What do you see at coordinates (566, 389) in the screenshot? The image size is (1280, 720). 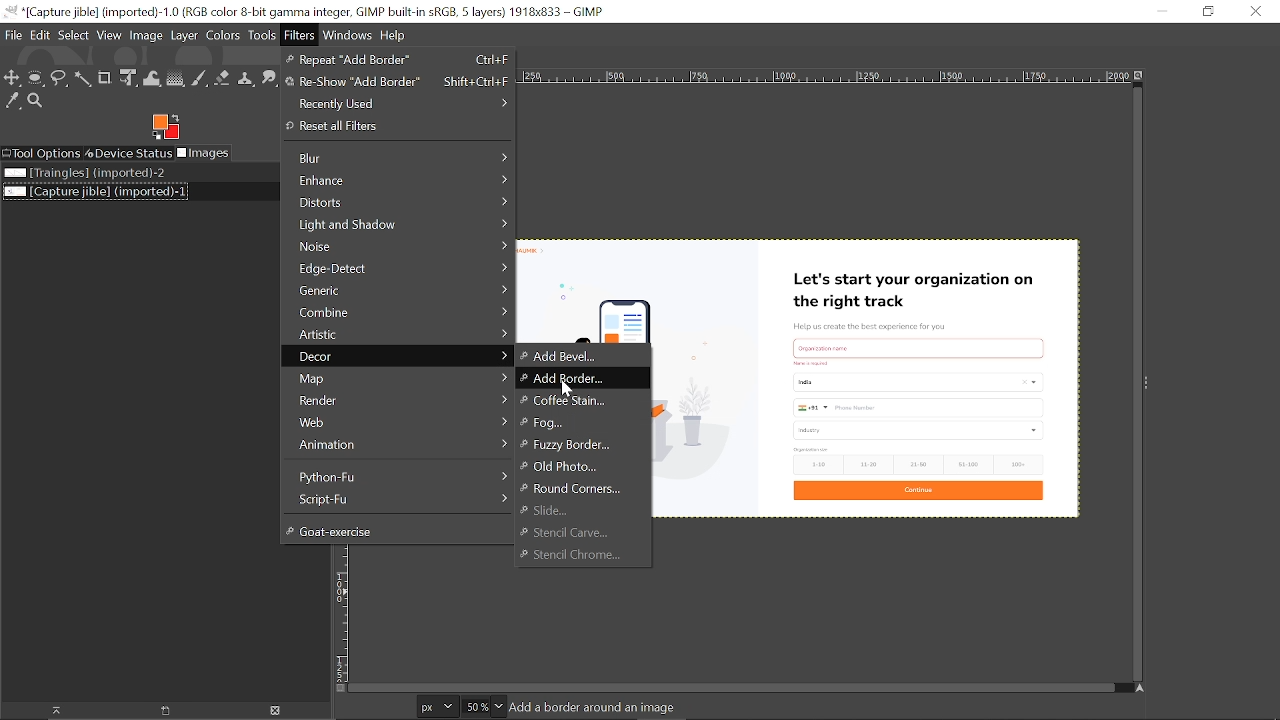 I see `cursor` at bounding box center [566, 389].